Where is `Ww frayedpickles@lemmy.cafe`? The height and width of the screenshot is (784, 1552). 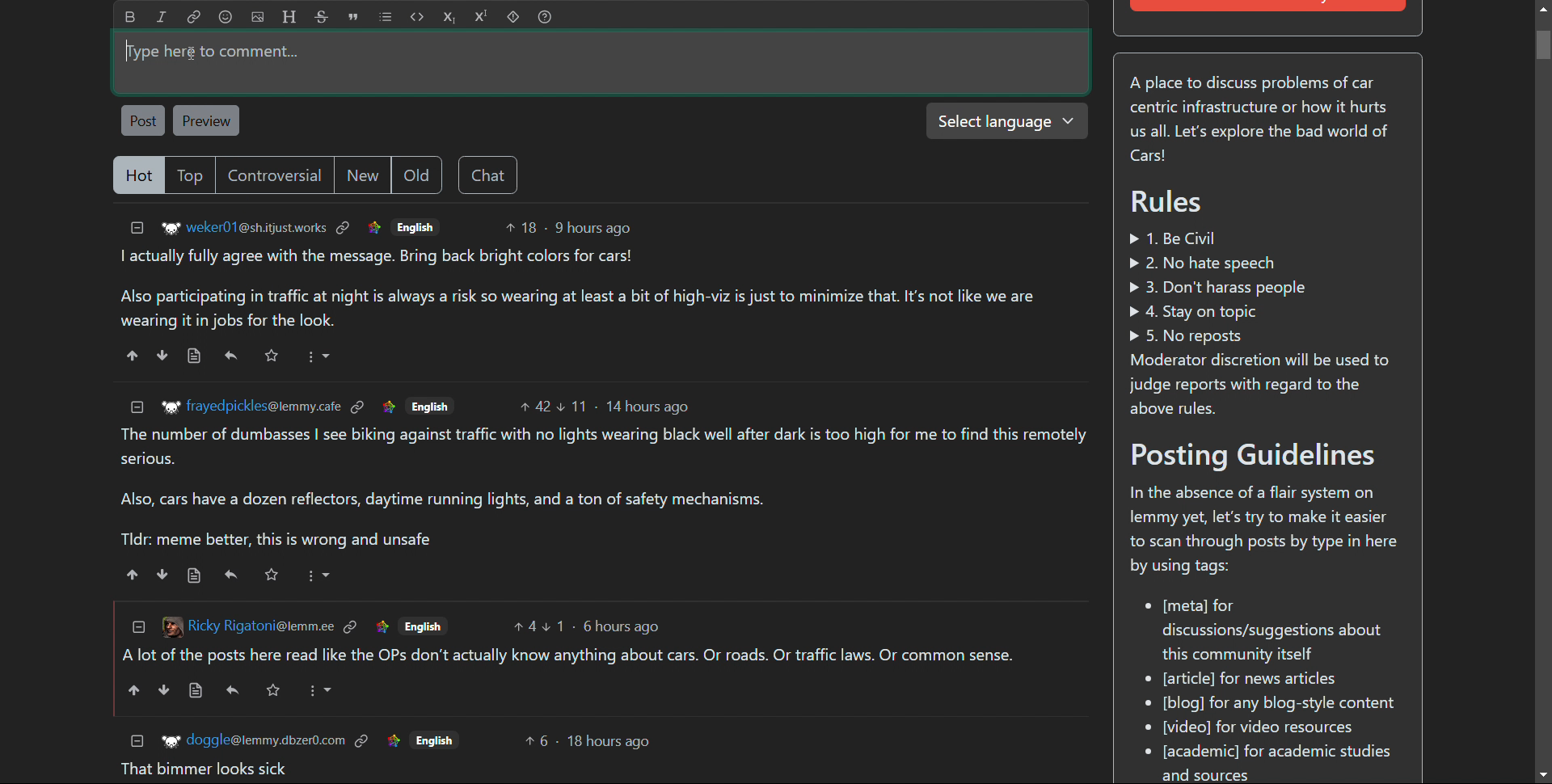
Ww frayedpickles@lemmy.cafe is located at coordinates (249, 406).